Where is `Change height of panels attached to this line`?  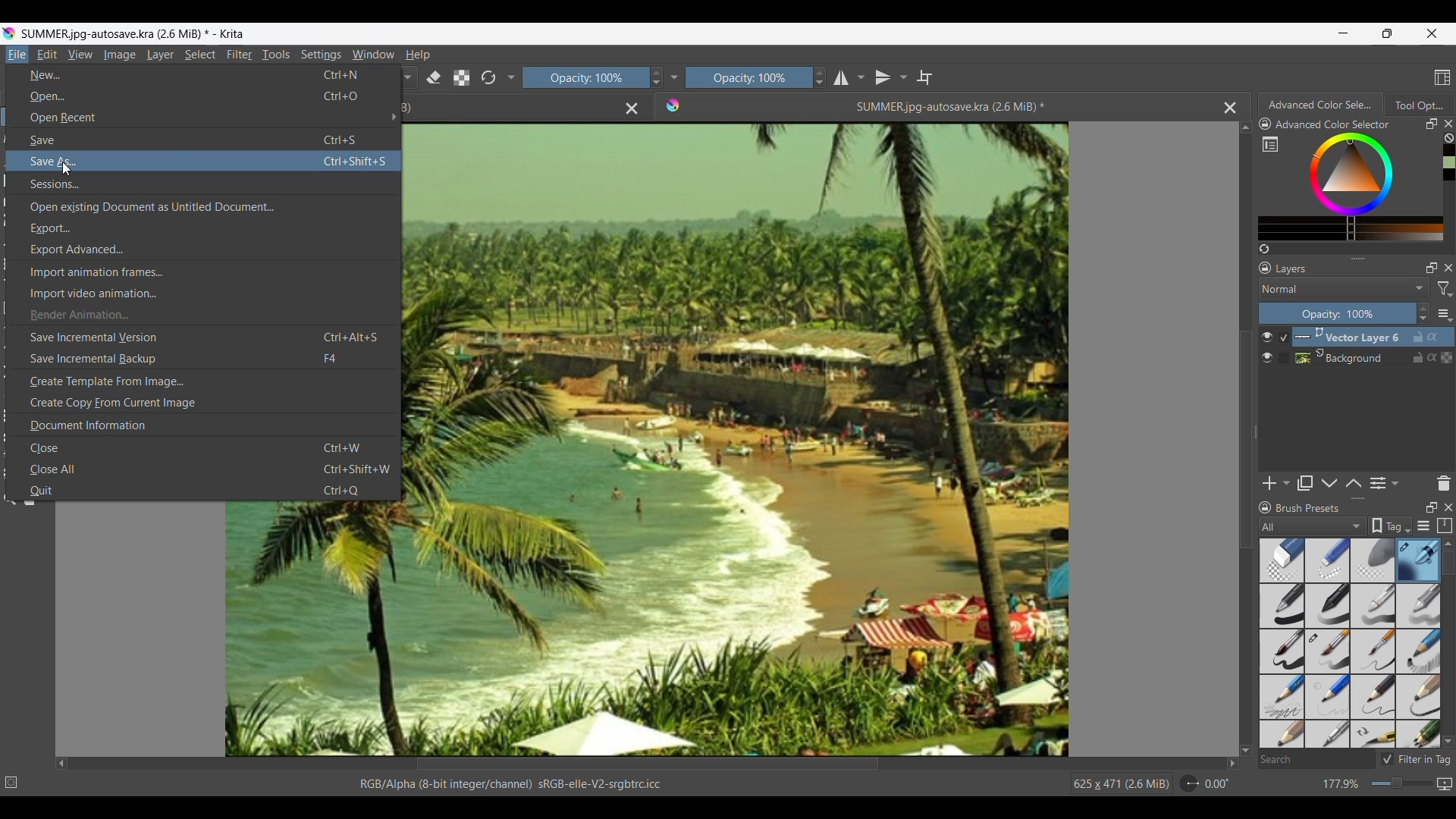 Change height of panels attached to this line is located at coordinates (1332, 498).